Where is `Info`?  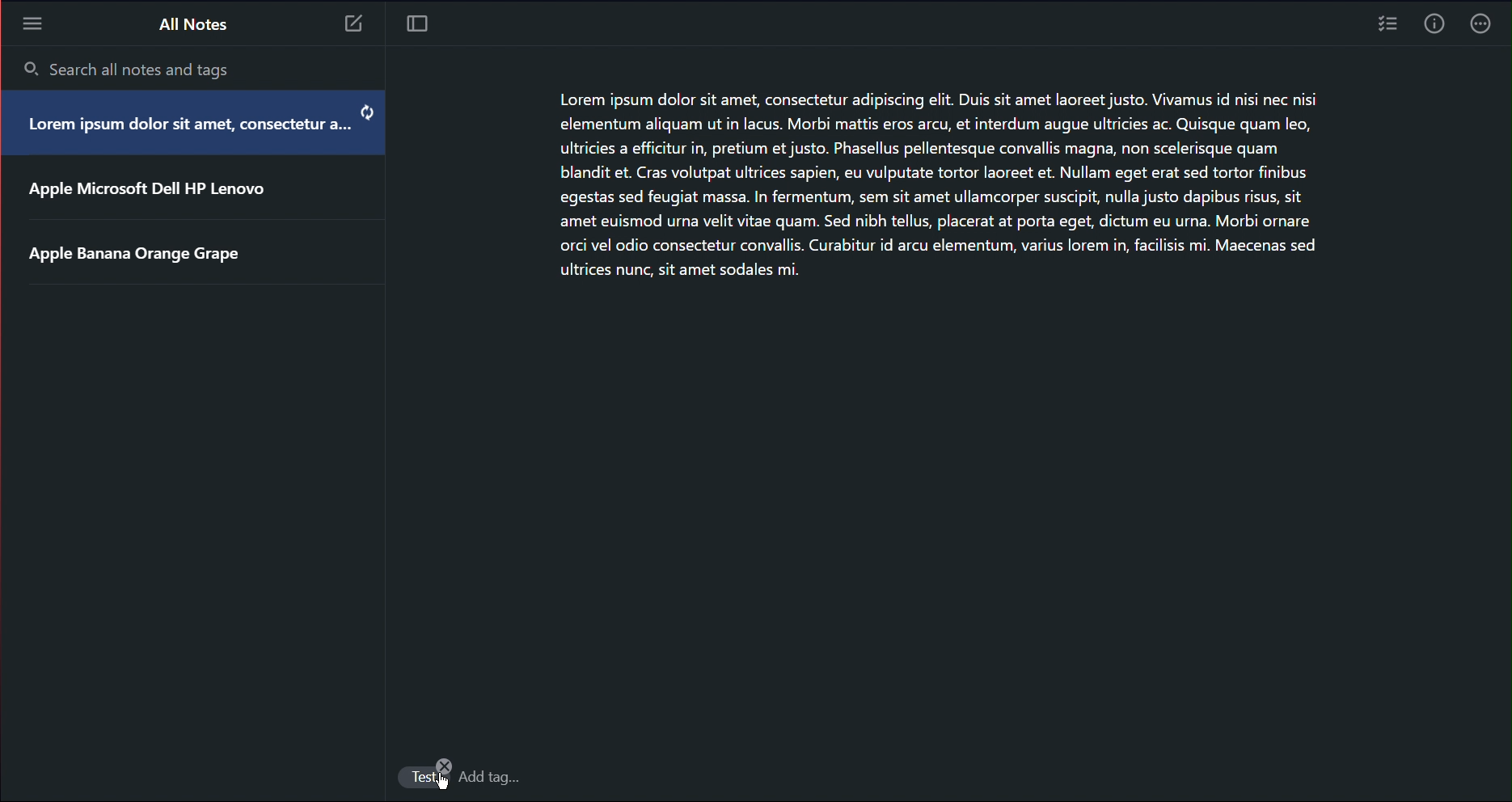 Info is located at coordinates (1433, 27).